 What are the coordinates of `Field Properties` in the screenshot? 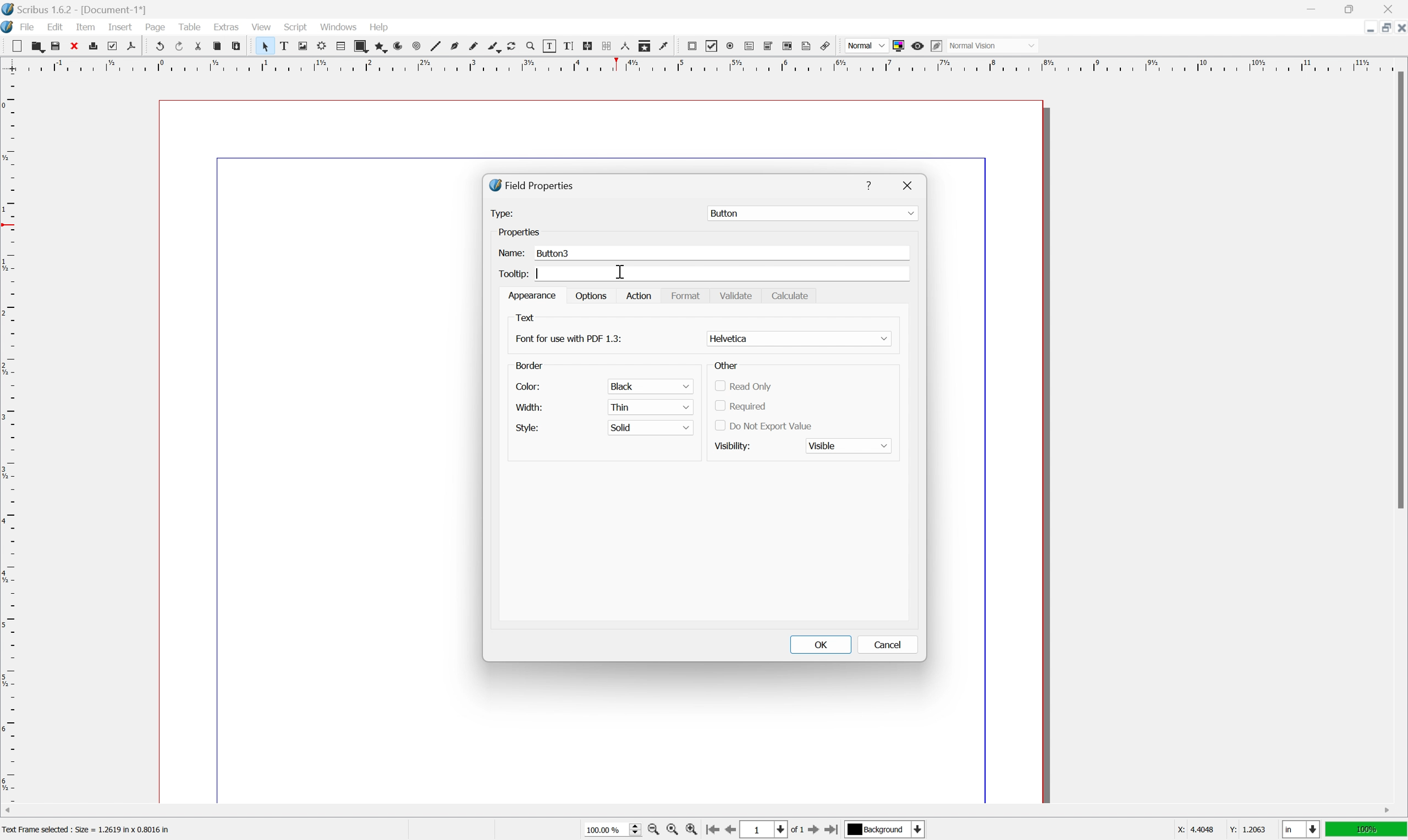 It's located at (532, 183).